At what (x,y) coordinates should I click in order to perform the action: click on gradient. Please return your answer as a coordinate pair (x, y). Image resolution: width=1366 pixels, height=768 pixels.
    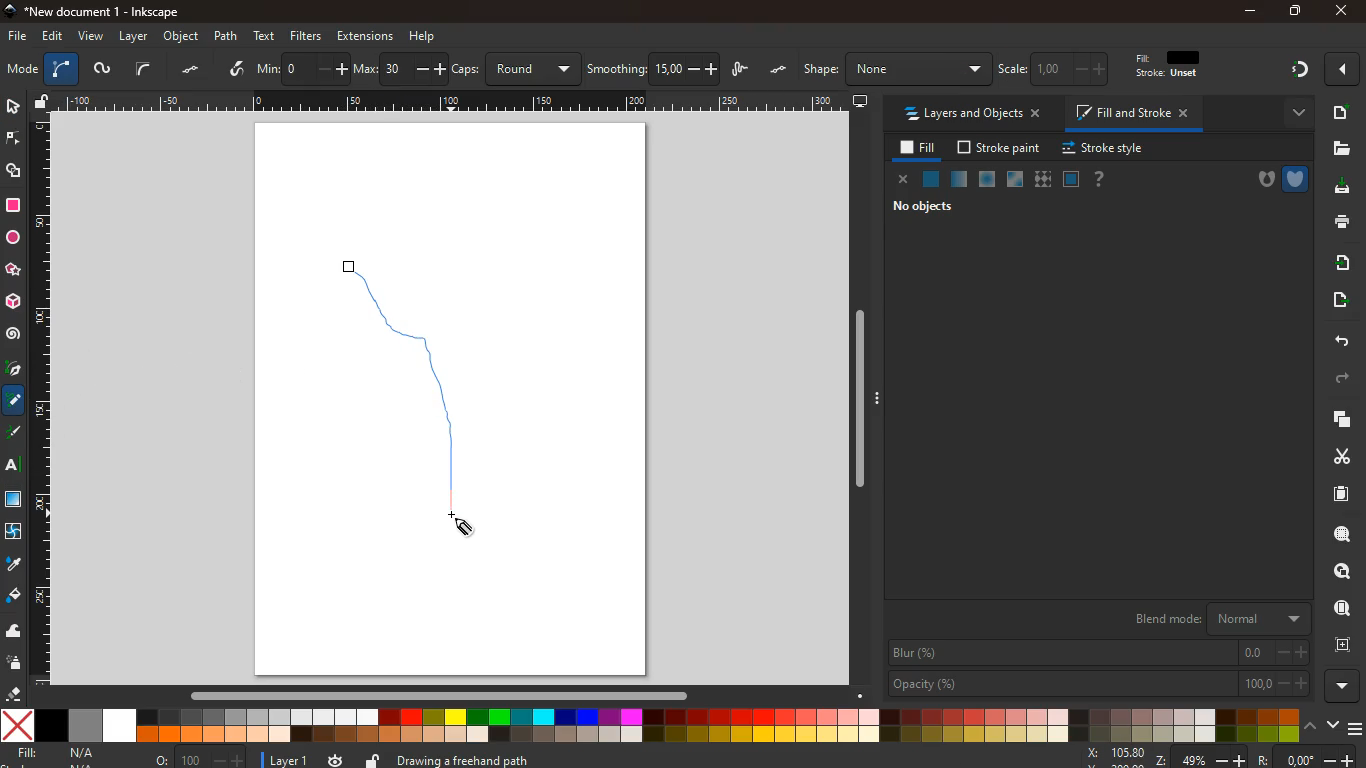
    Looking at the image, I should click on (1298, 72).